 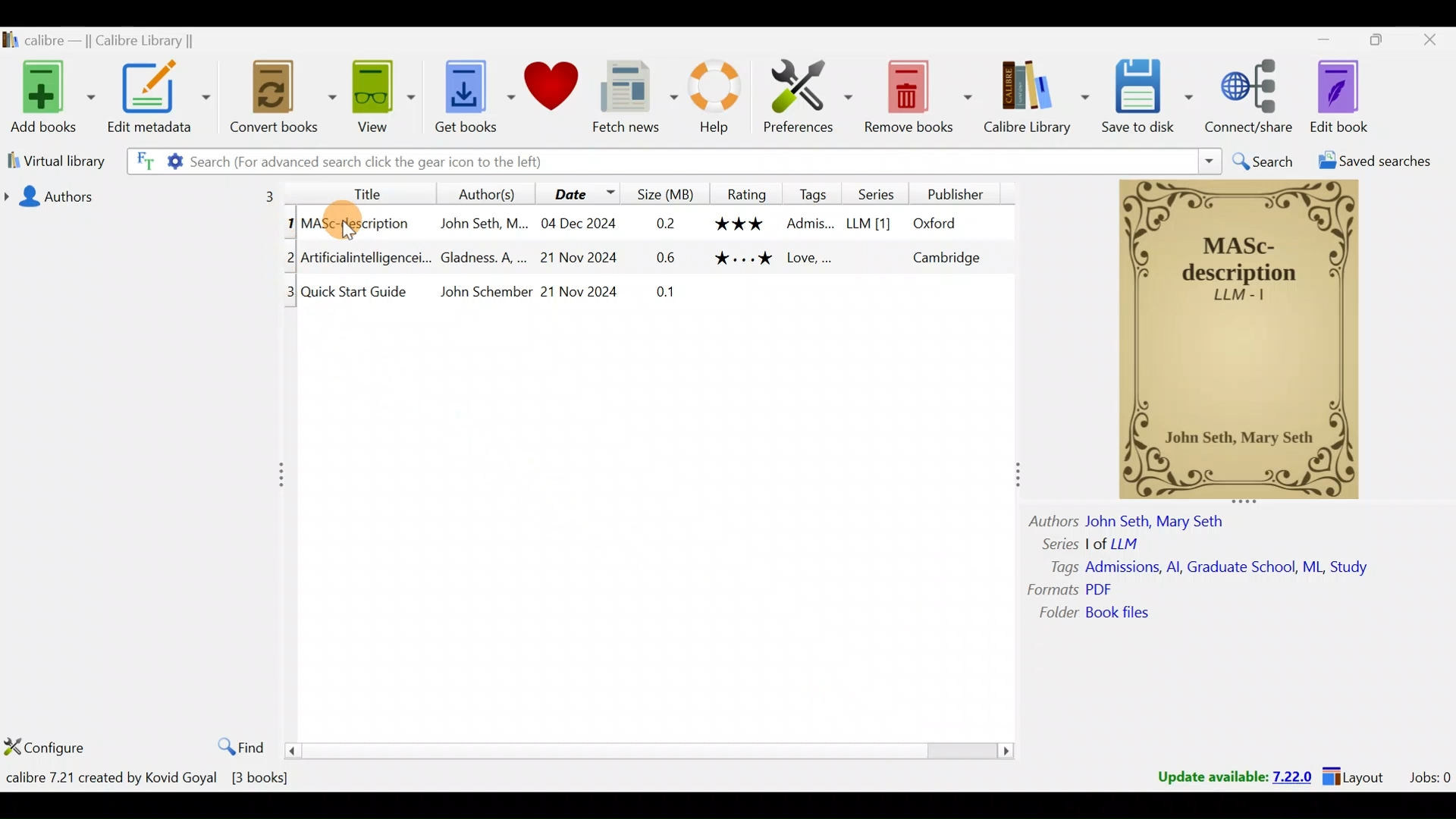 I want to click on , so click(x=1126, y=615).